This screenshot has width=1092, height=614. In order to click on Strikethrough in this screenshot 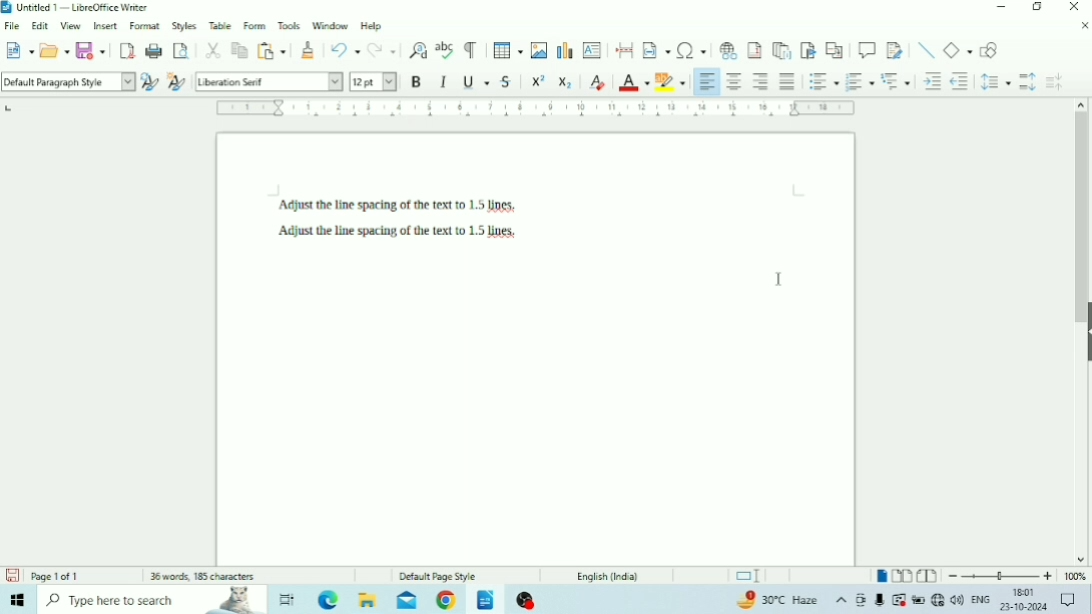, I will do `click(506, 82)`.